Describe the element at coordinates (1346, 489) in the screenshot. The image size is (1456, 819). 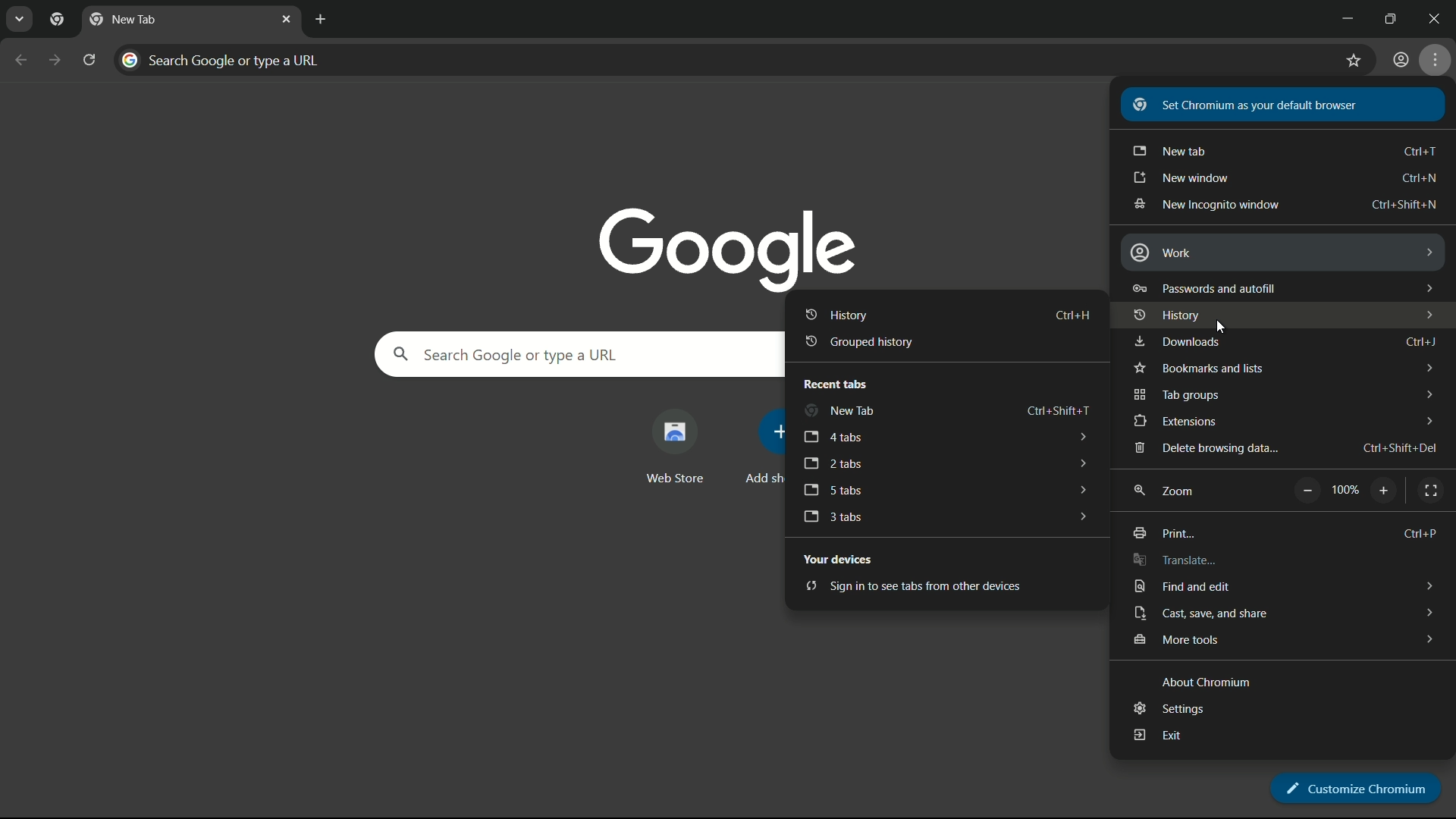
I see `scale factor` at that location.